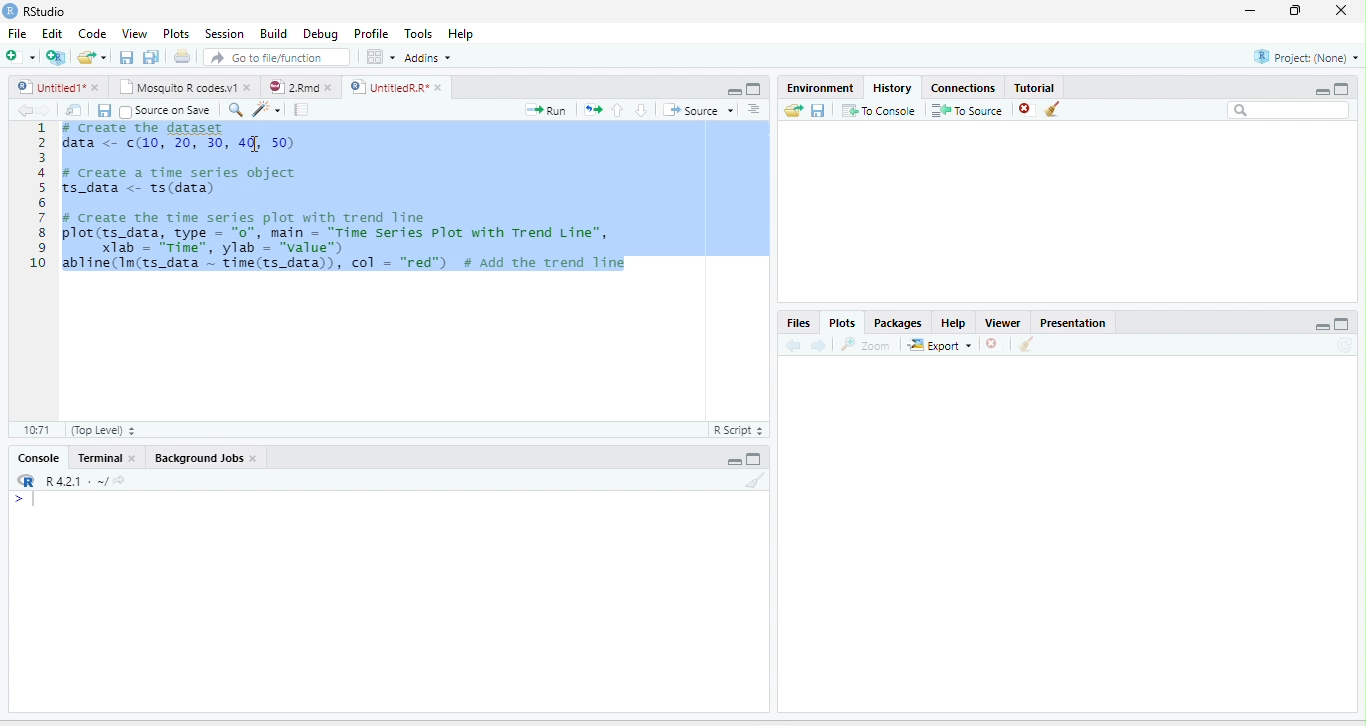  Describe the element at coordinates (996, 343) in the screenshot. I see `Remove current plot` at that location.